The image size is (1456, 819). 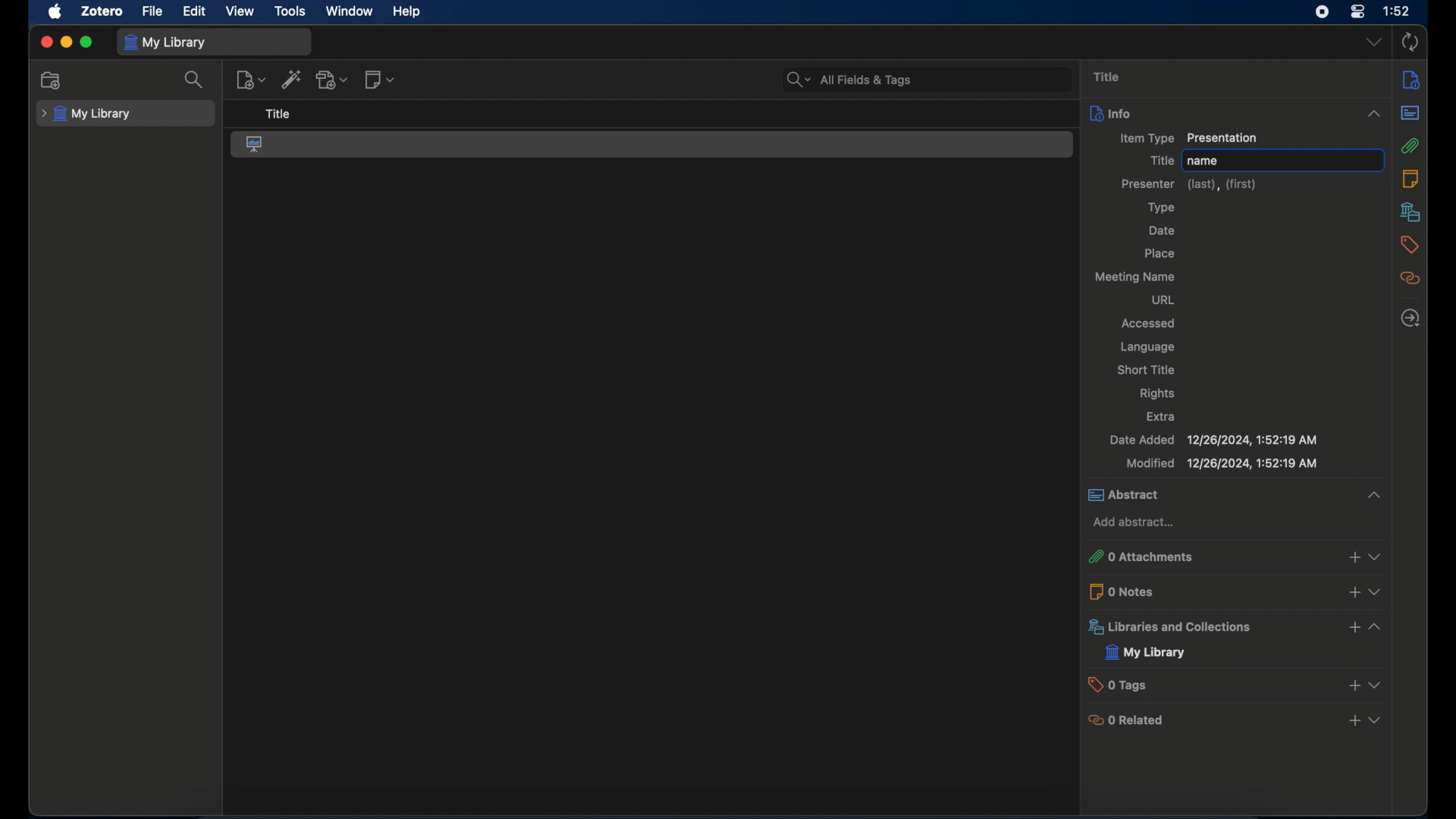 What do you see at coordinates (1191, 184) in the screenshot?
I see `presenter (last),(first)` at bounding box center [1191, 184].